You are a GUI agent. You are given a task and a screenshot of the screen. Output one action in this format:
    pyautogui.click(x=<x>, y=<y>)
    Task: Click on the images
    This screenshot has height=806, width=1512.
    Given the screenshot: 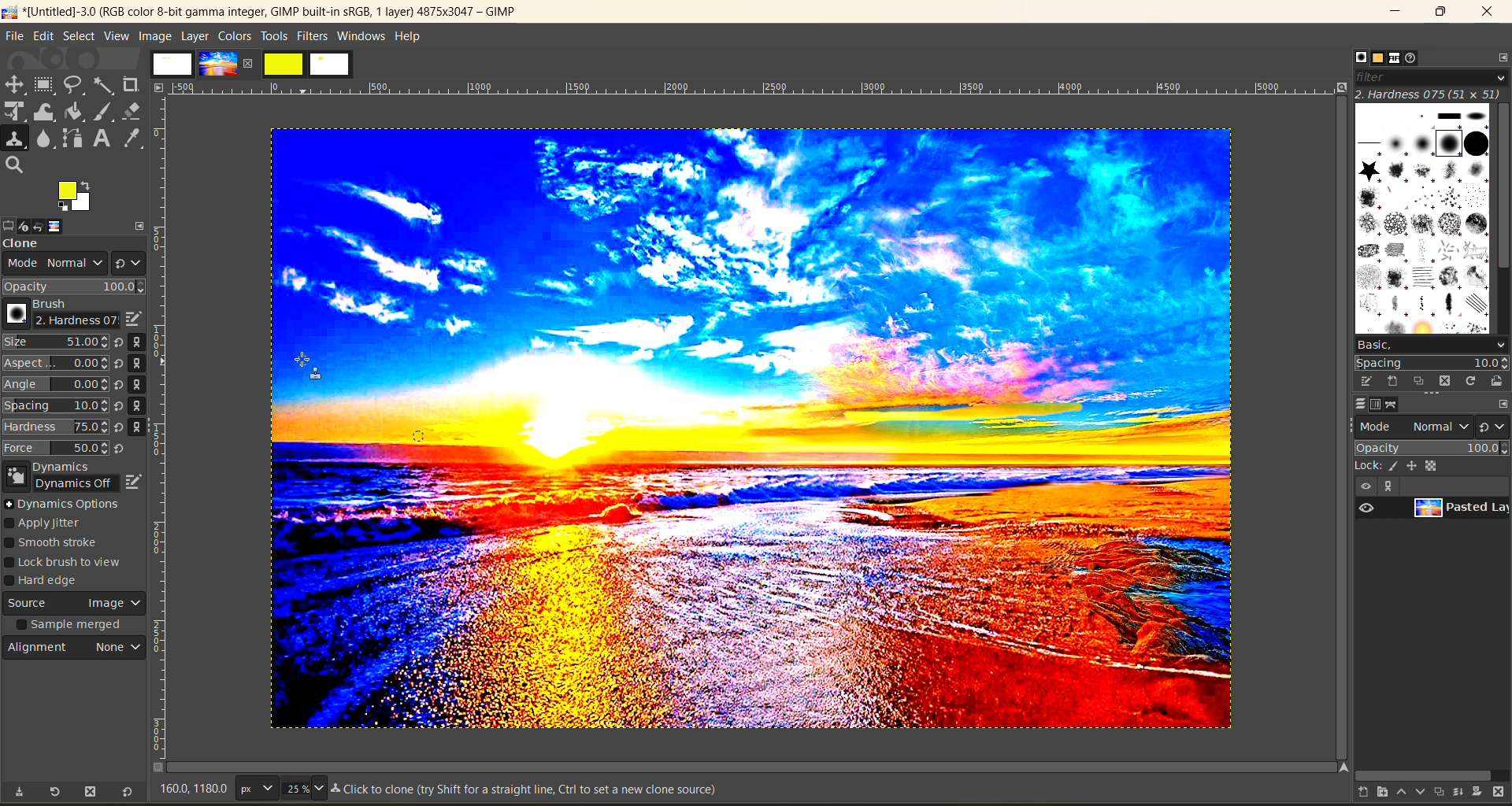 What is the action you would take?
    pyautogui.click(x=172, y=64)
    